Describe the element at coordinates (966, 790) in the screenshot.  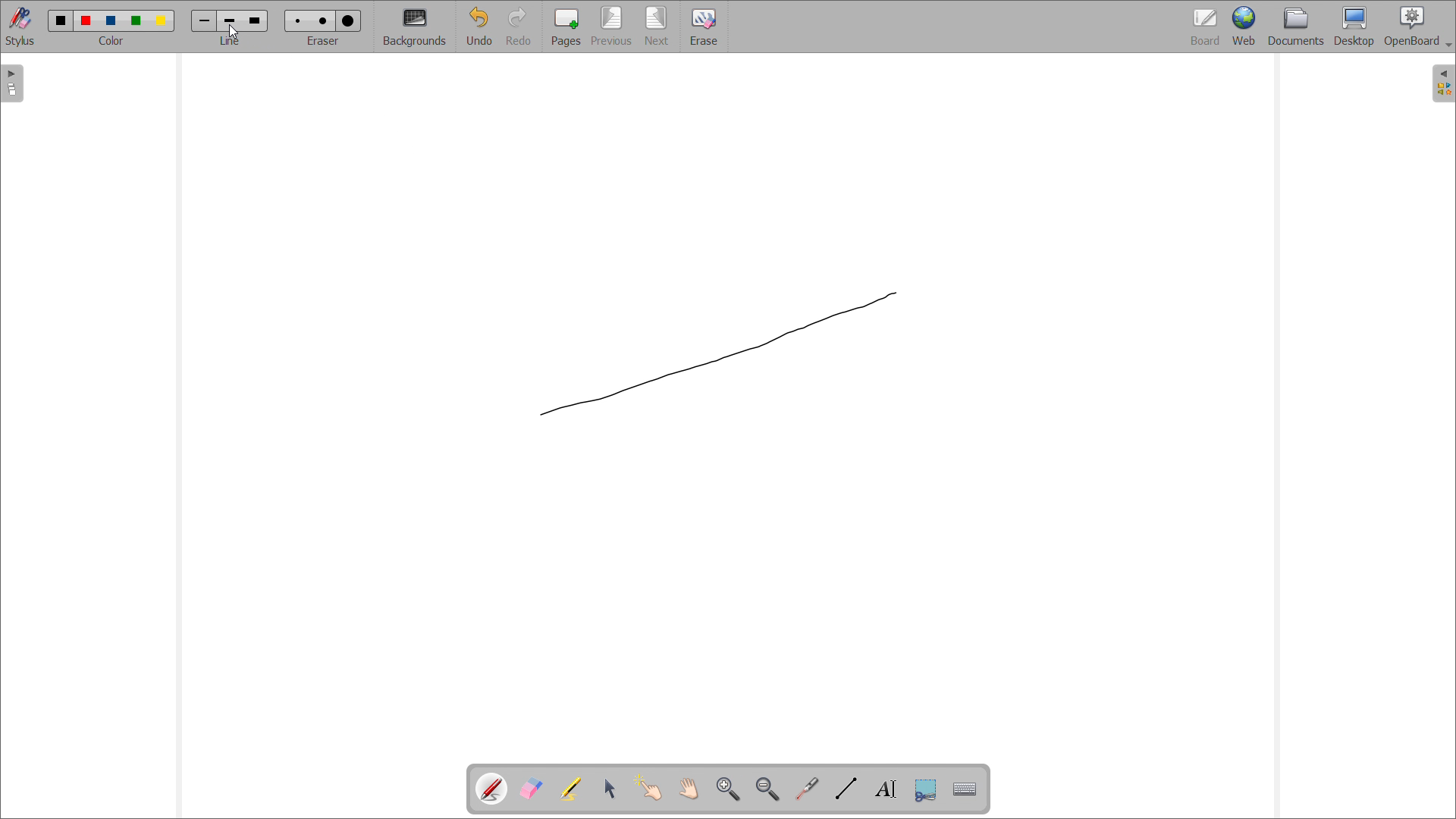
I see `virtual keyboard` at that location.